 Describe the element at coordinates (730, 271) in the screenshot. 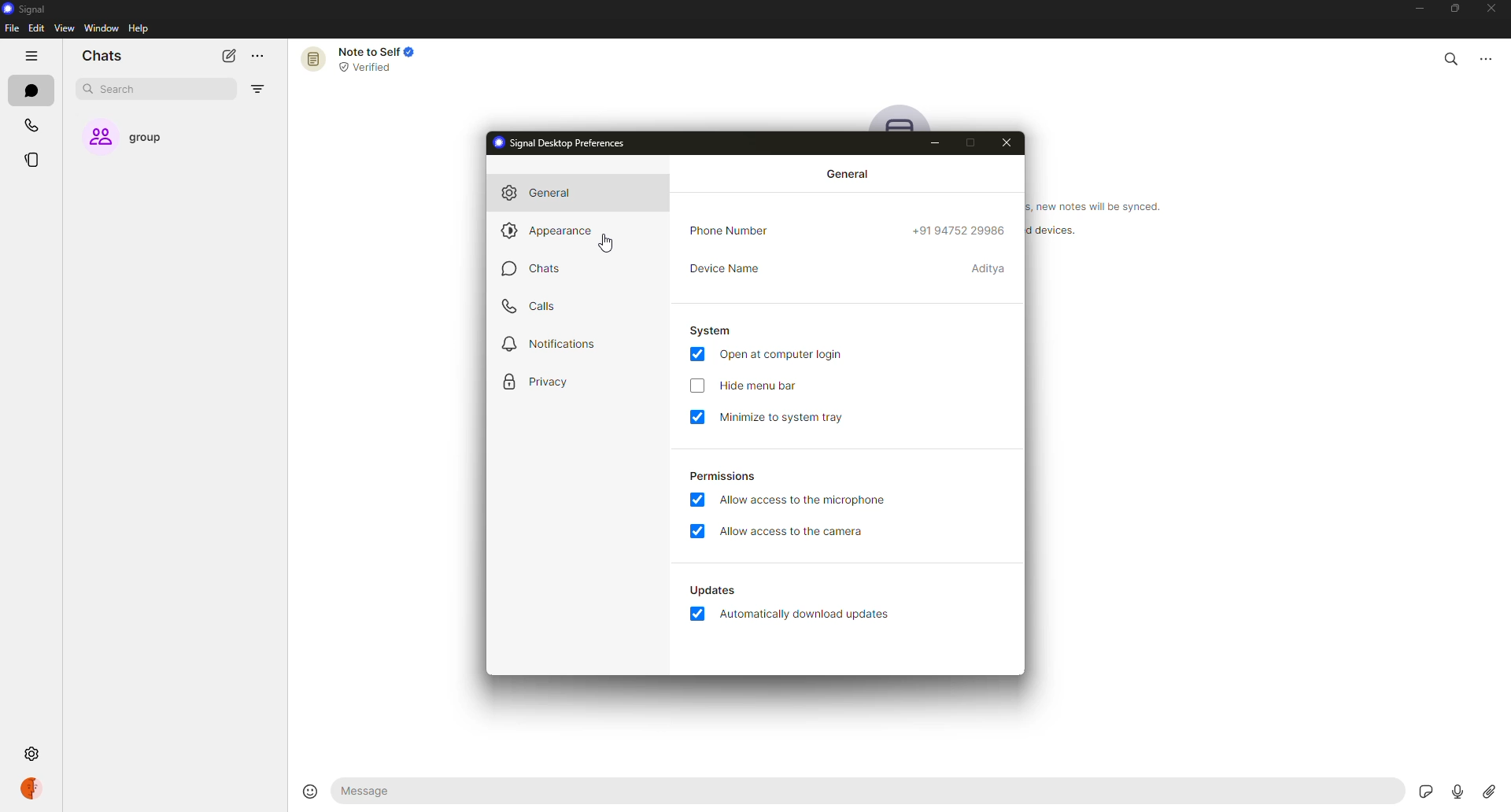

I see `device name` at that location.